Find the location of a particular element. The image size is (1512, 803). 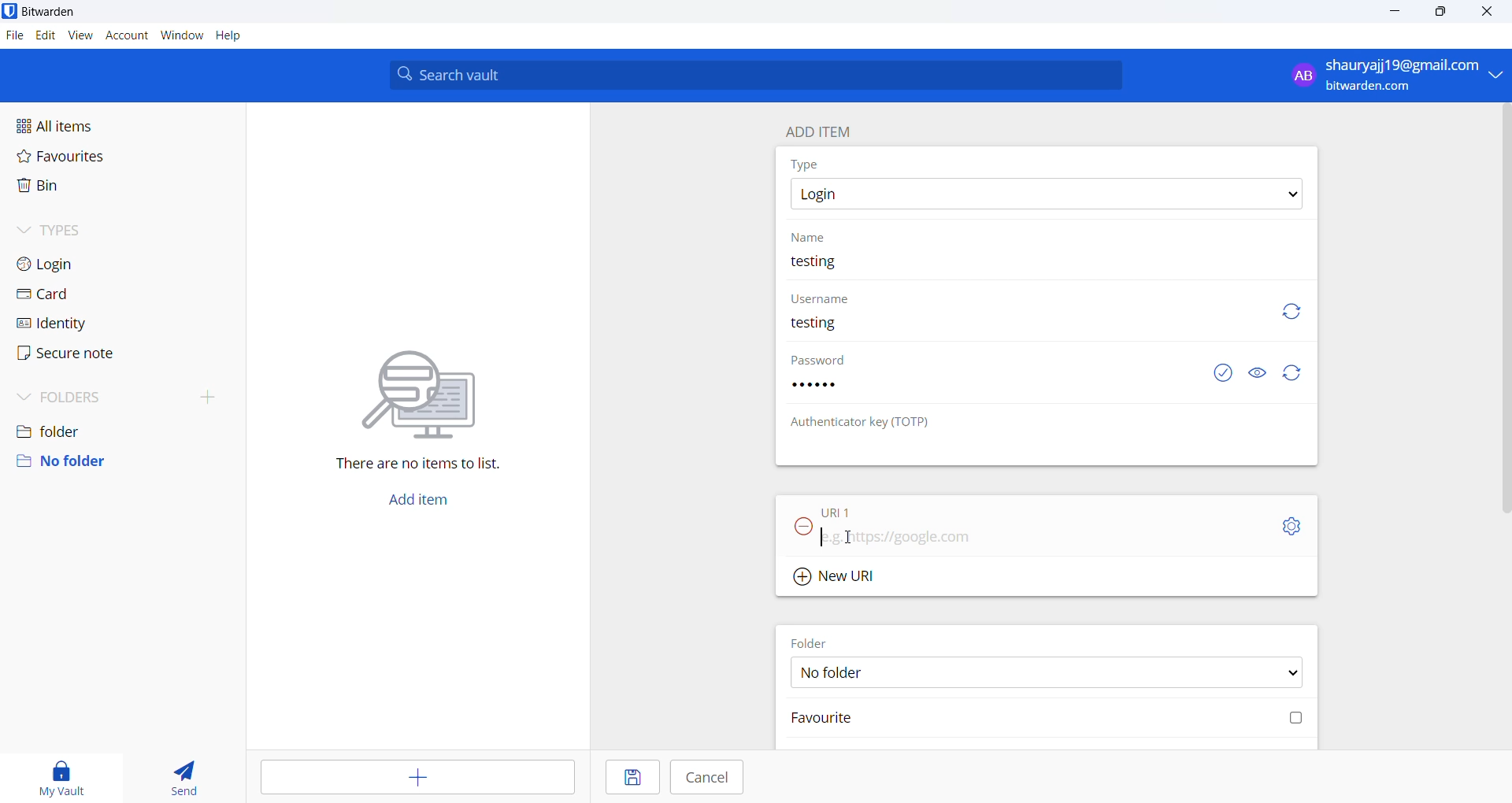

add button is located at coordinates (417, 502).